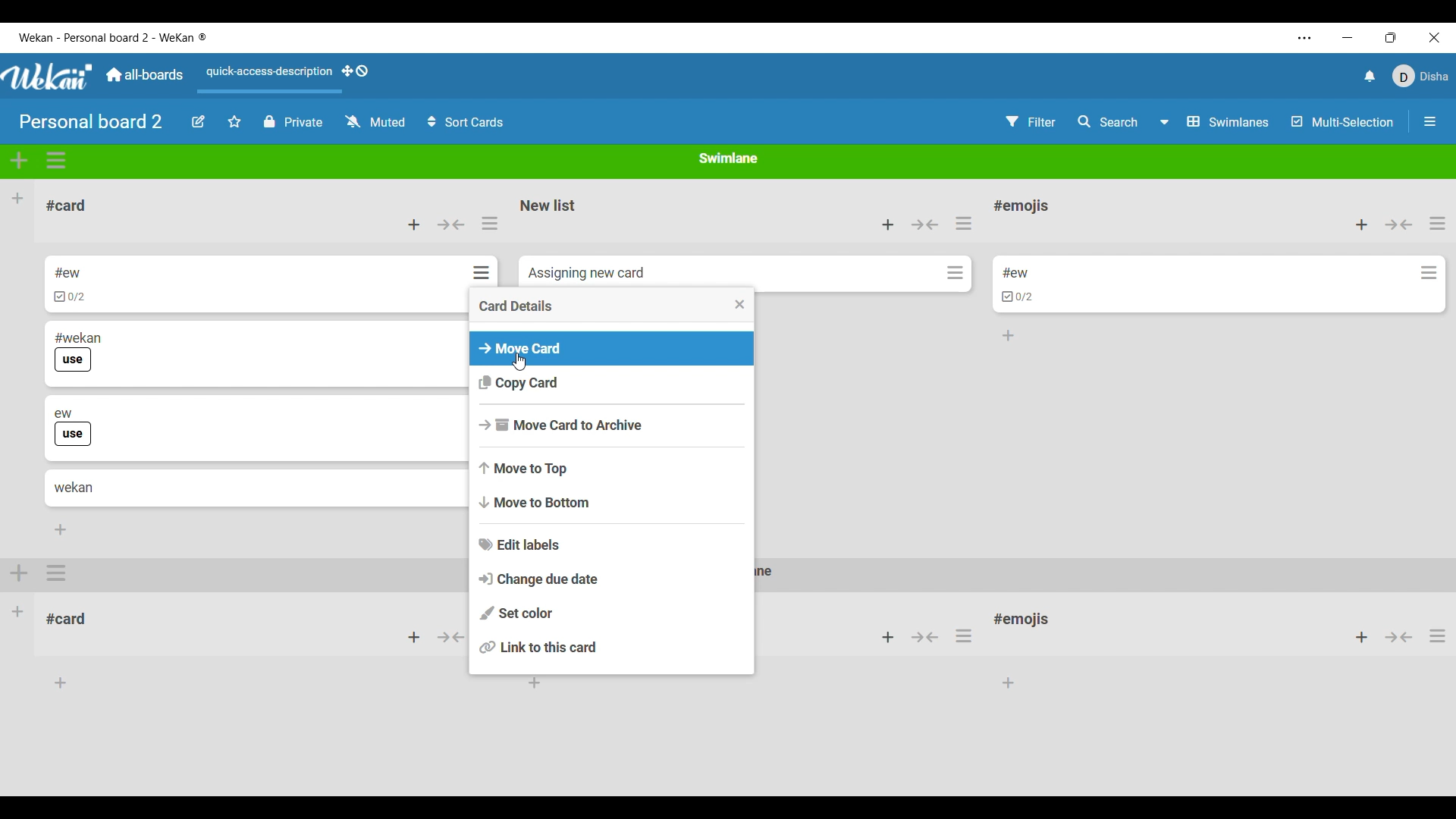  What do you see at coordinates (450, 224) in the screenshot?
I see `Collapse` at bounding box center [450, 224].